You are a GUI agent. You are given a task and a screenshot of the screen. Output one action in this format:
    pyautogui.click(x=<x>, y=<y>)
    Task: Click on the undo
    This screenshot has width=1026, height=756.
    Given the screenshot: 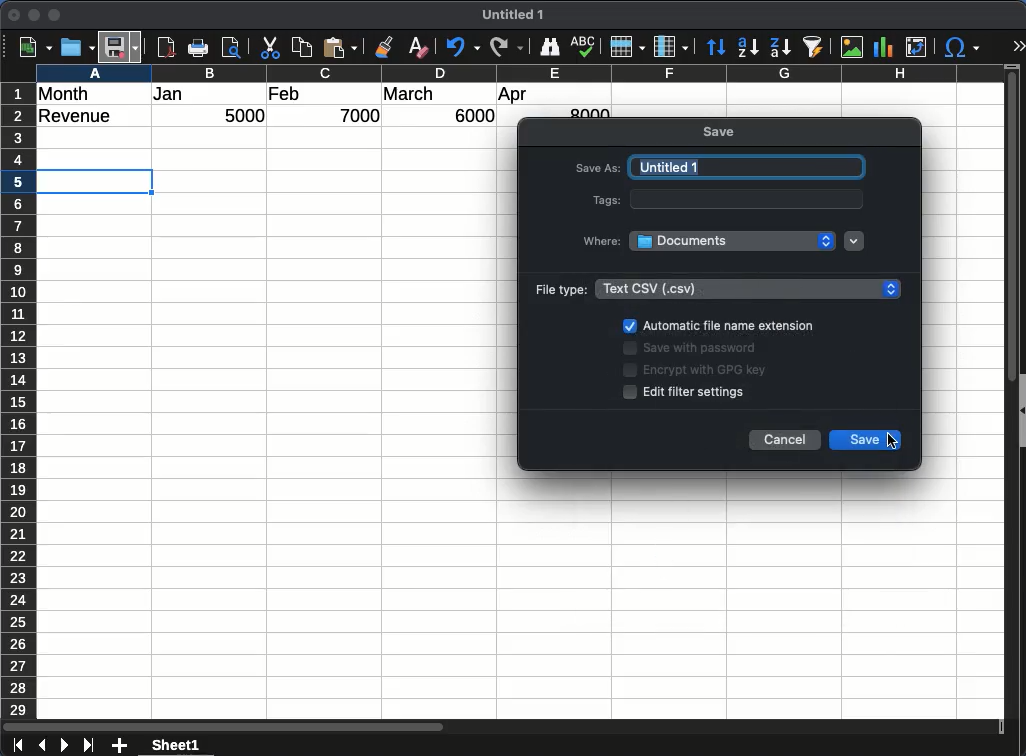 What is the action you would take?
    pyautogui.click(x=460, y=48)
    